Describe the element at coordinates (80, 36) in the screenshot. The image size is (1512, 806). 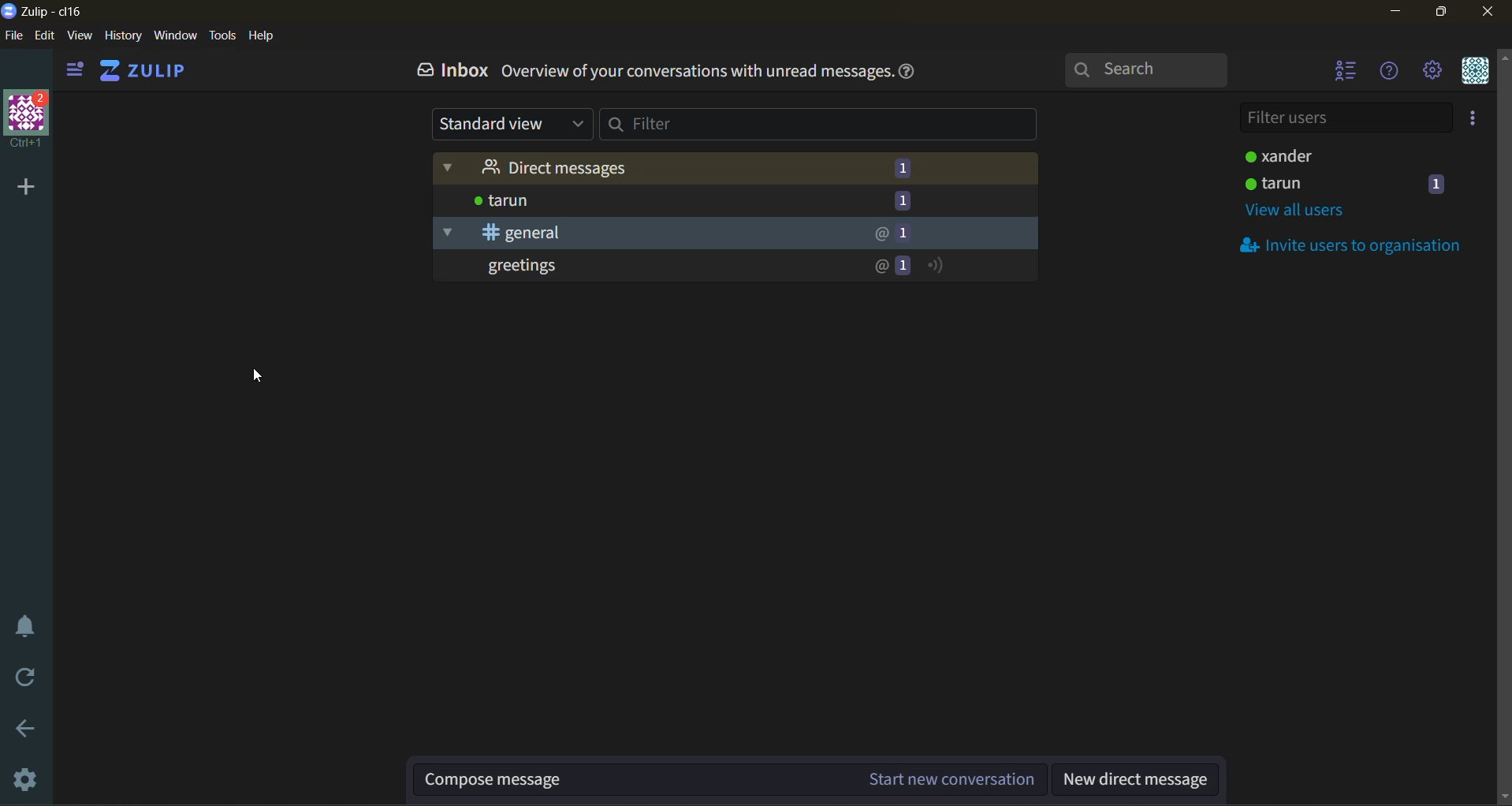
I see `view` at that location.